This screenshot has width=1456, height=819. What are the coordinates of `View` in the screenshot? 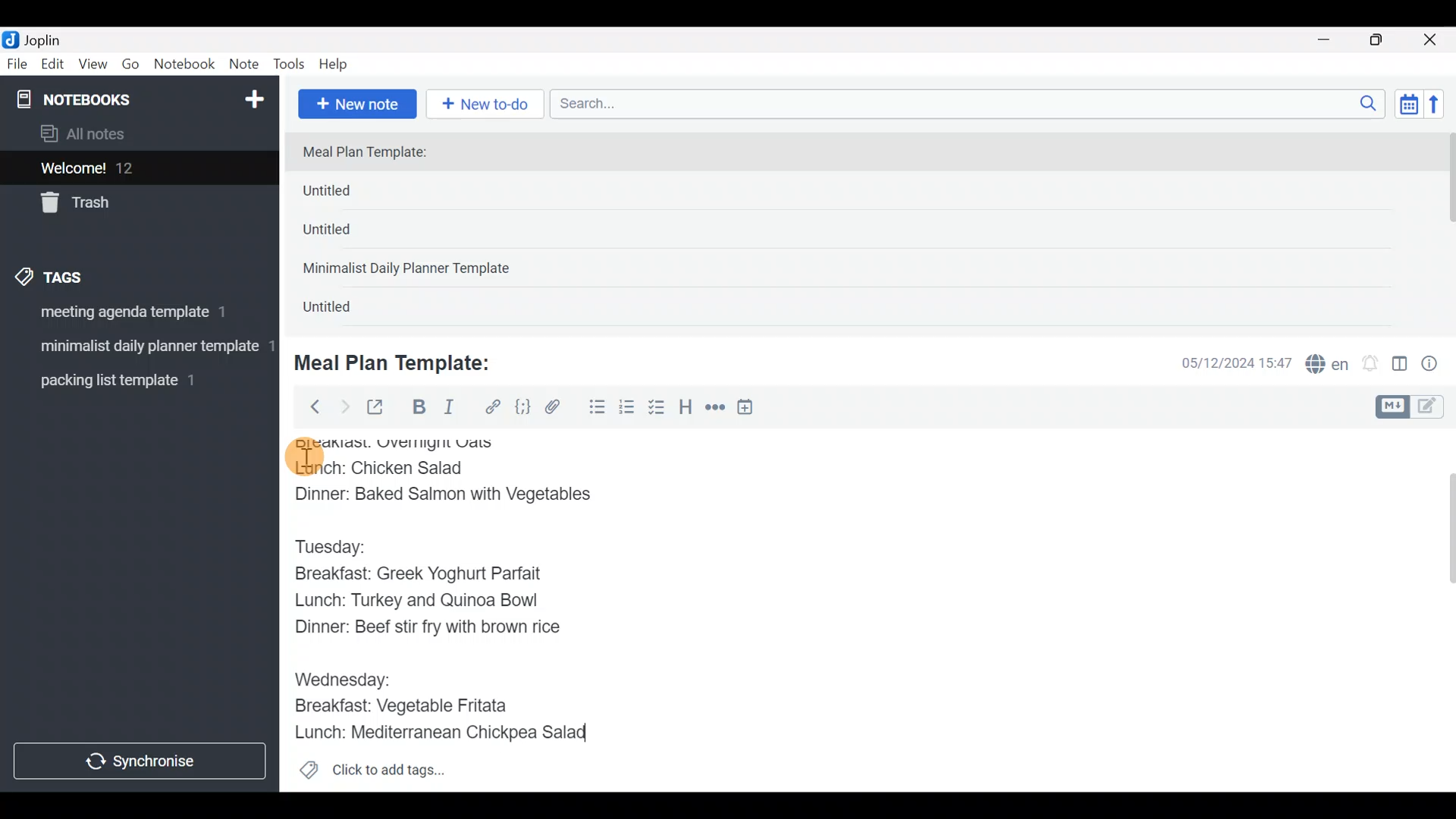 It's located at (93, 67).